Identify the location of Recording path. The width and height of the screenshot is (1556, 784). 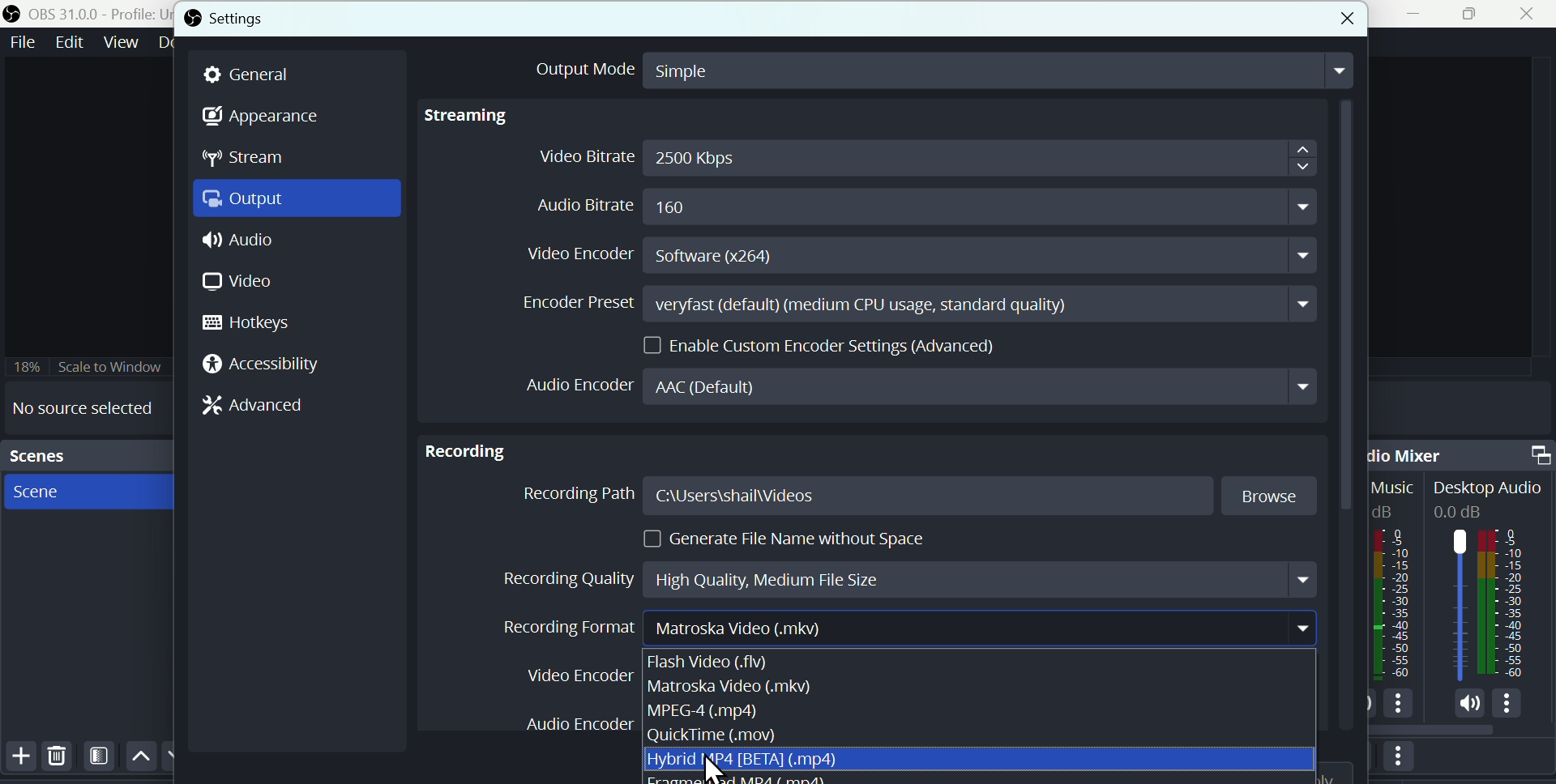
(864, 497).